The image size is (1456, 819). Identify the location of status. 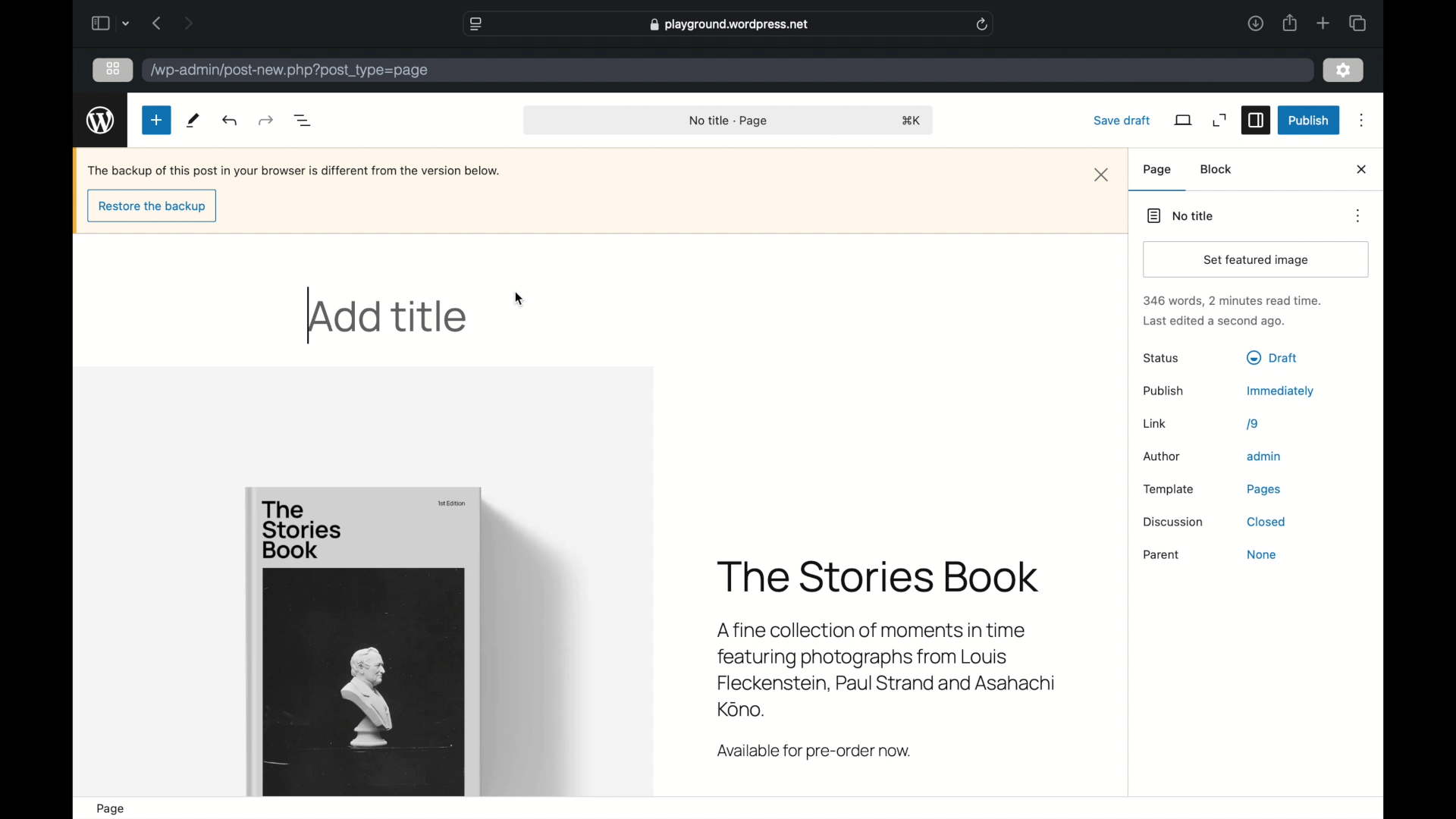
(1163, 359).